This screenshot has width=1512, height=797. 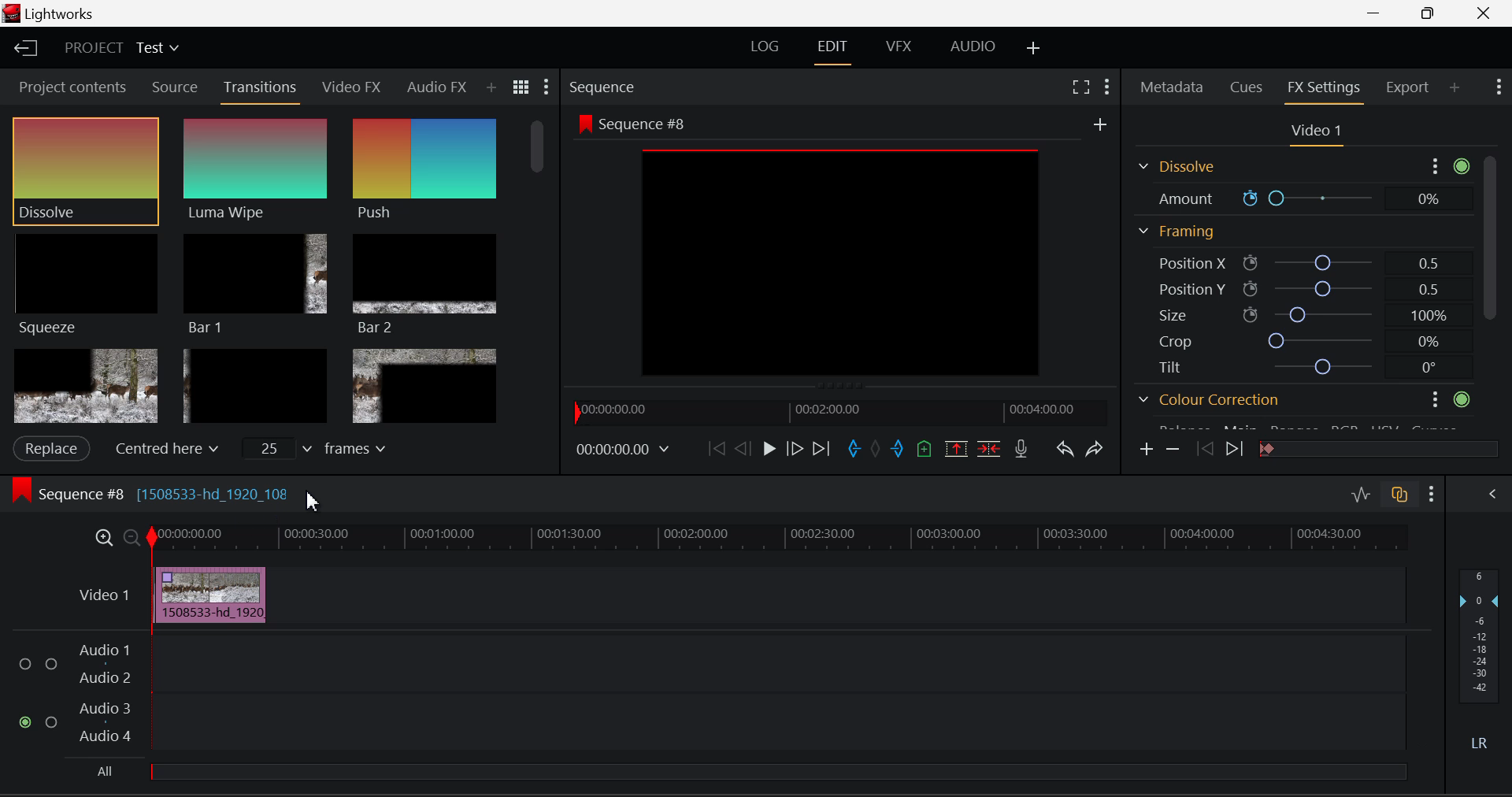 What do you see at coordinates (1295, 342) in the screenshot?
I see `Crop` at bounding box center [1295, 342].